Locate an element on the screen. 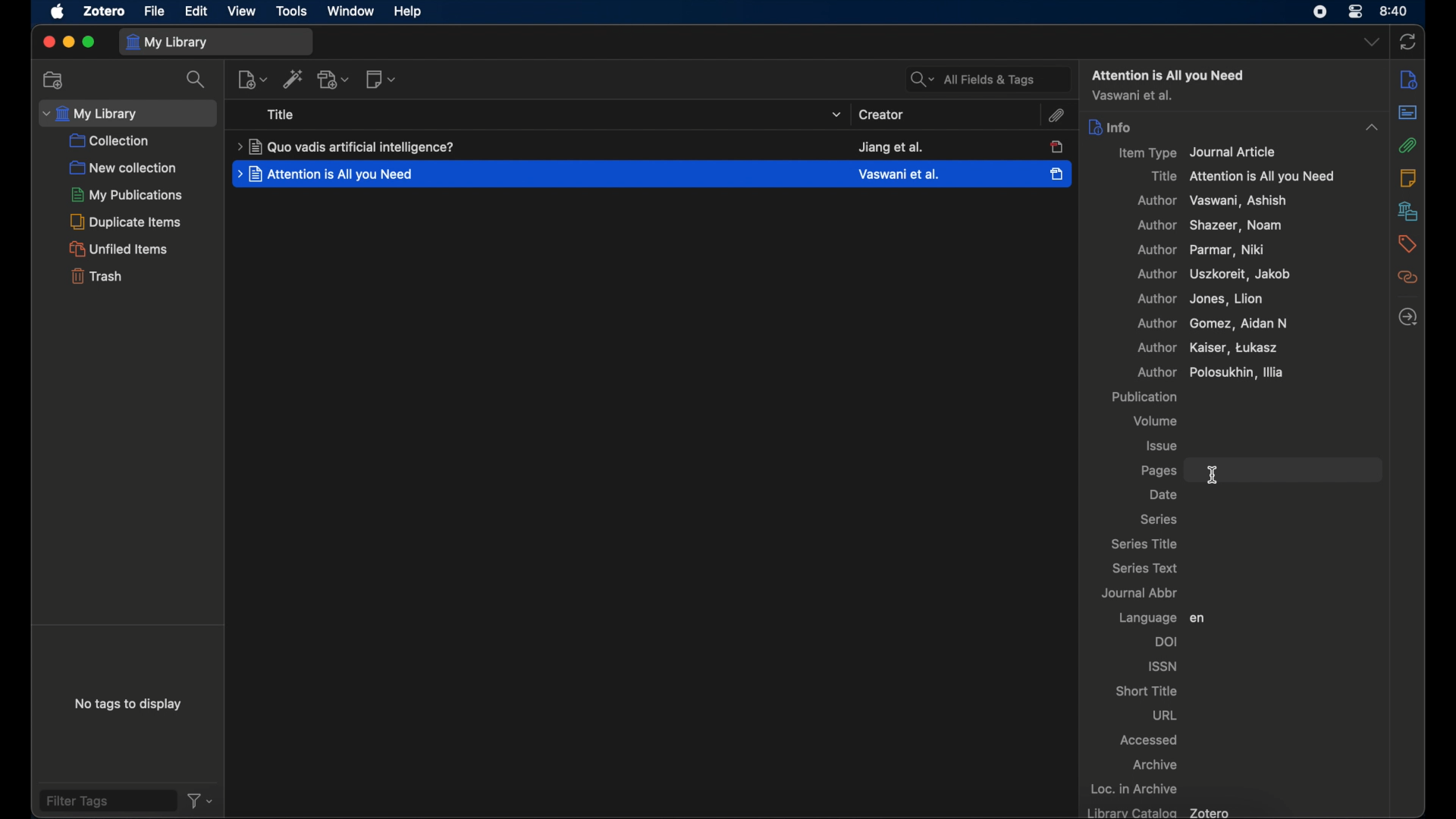  add. items by identifier  is located at coordinates (293, 80).